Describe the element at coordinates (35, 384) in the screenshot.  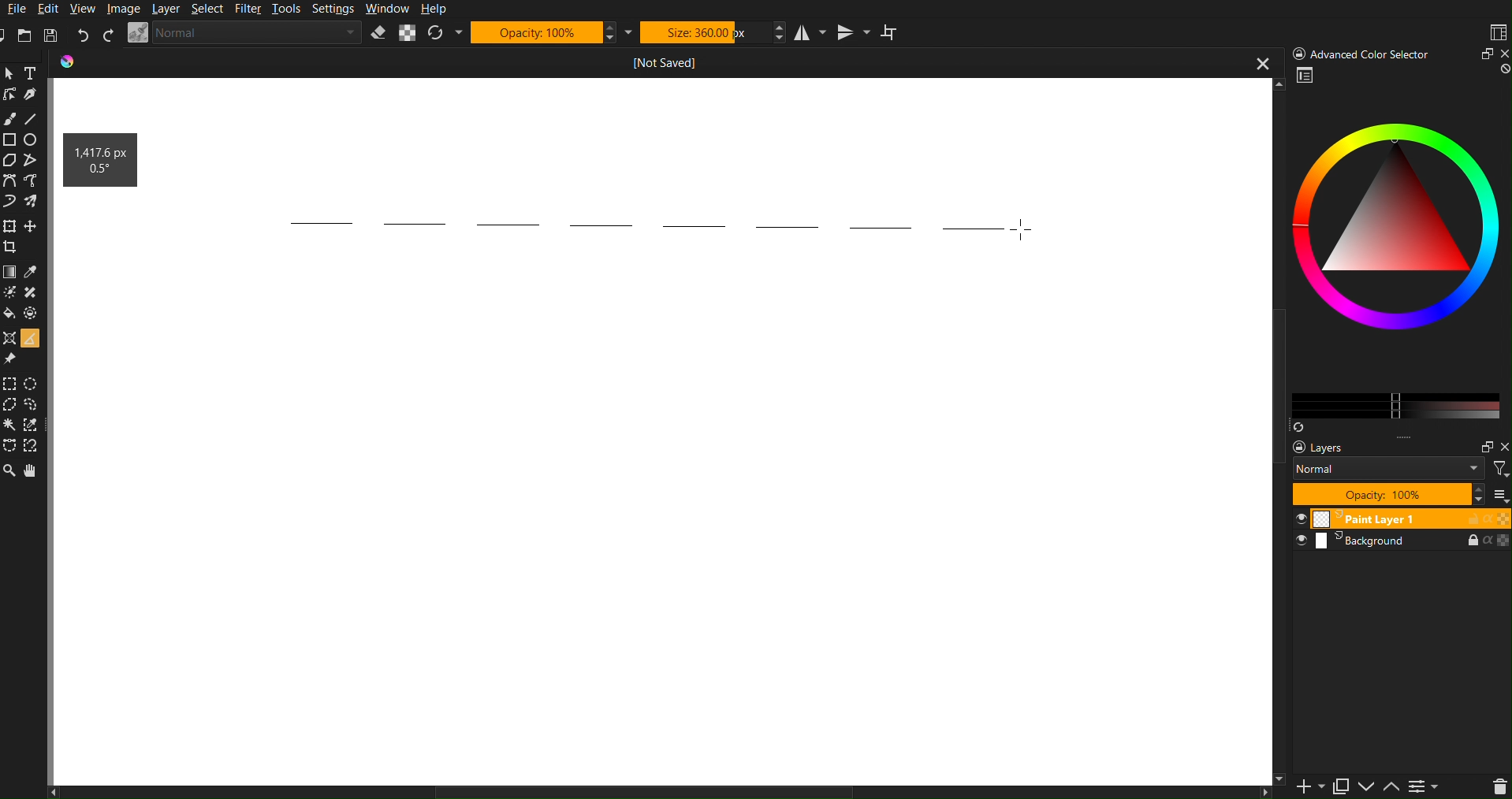
I see `Ellipse Marquee Tool` at that location.